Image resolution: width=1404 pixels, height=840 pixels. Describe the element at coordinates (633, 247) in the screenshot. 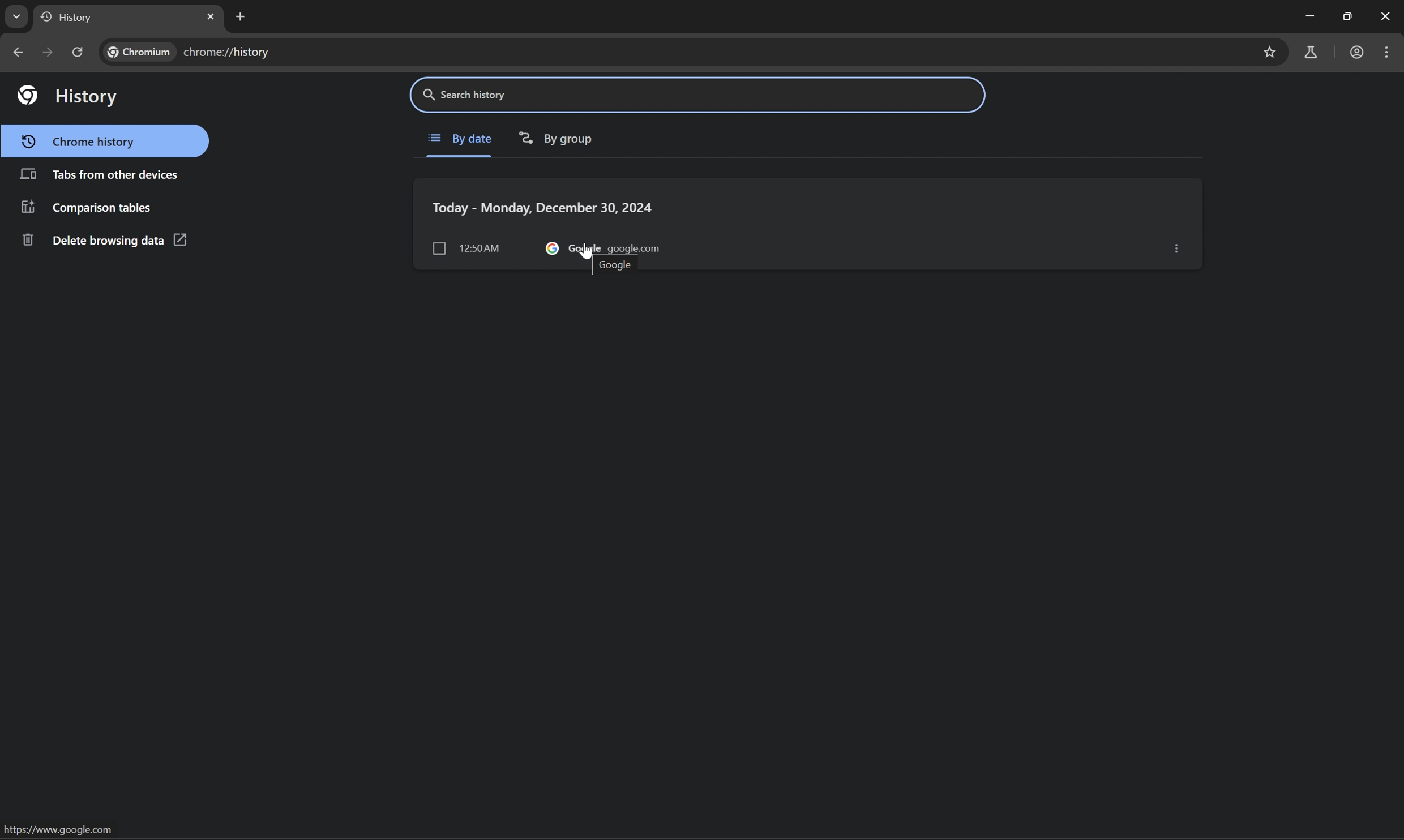

I see `google.com` at that location.